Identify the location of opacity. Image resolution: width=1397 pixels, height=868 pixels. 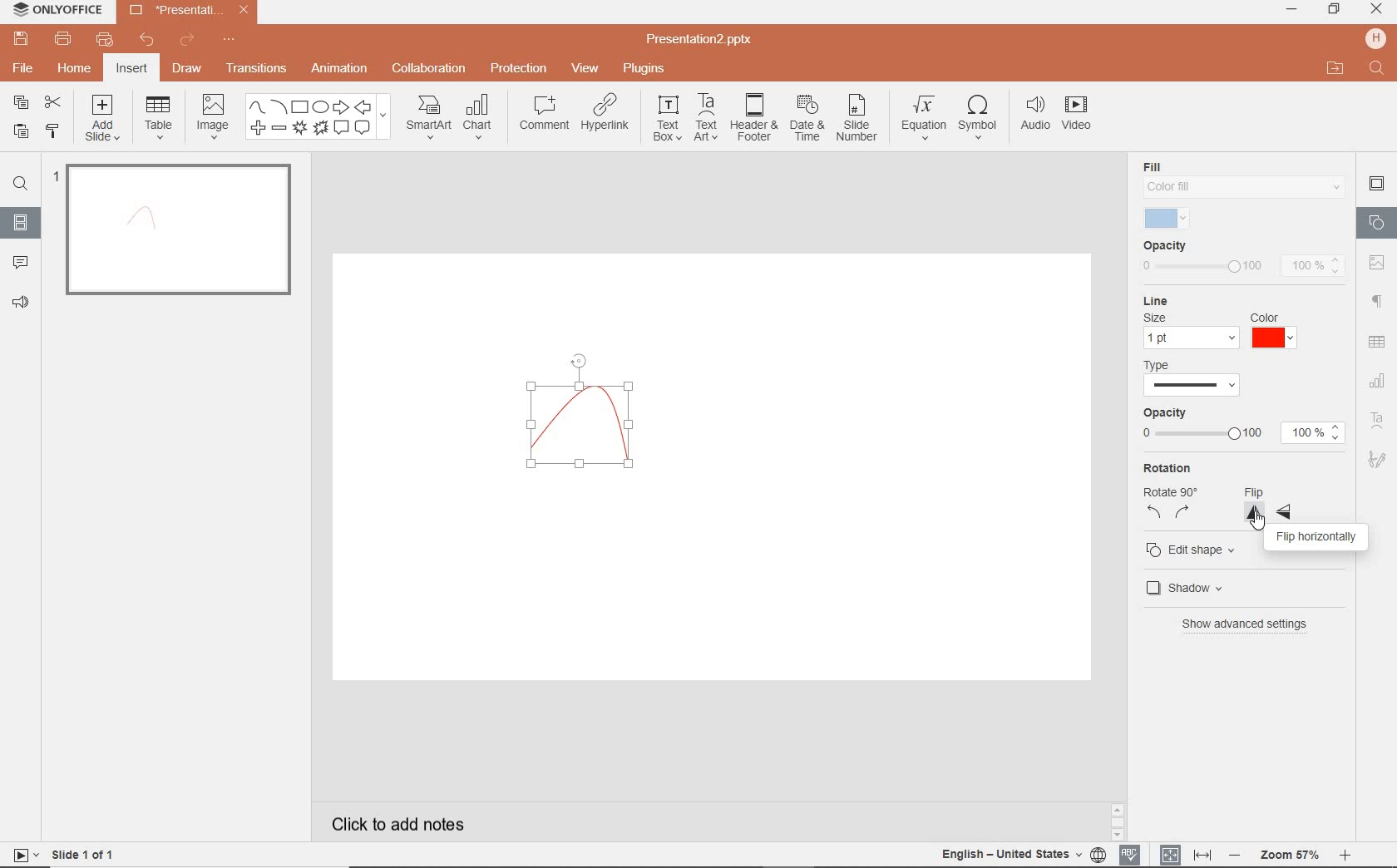
(1201, 259).